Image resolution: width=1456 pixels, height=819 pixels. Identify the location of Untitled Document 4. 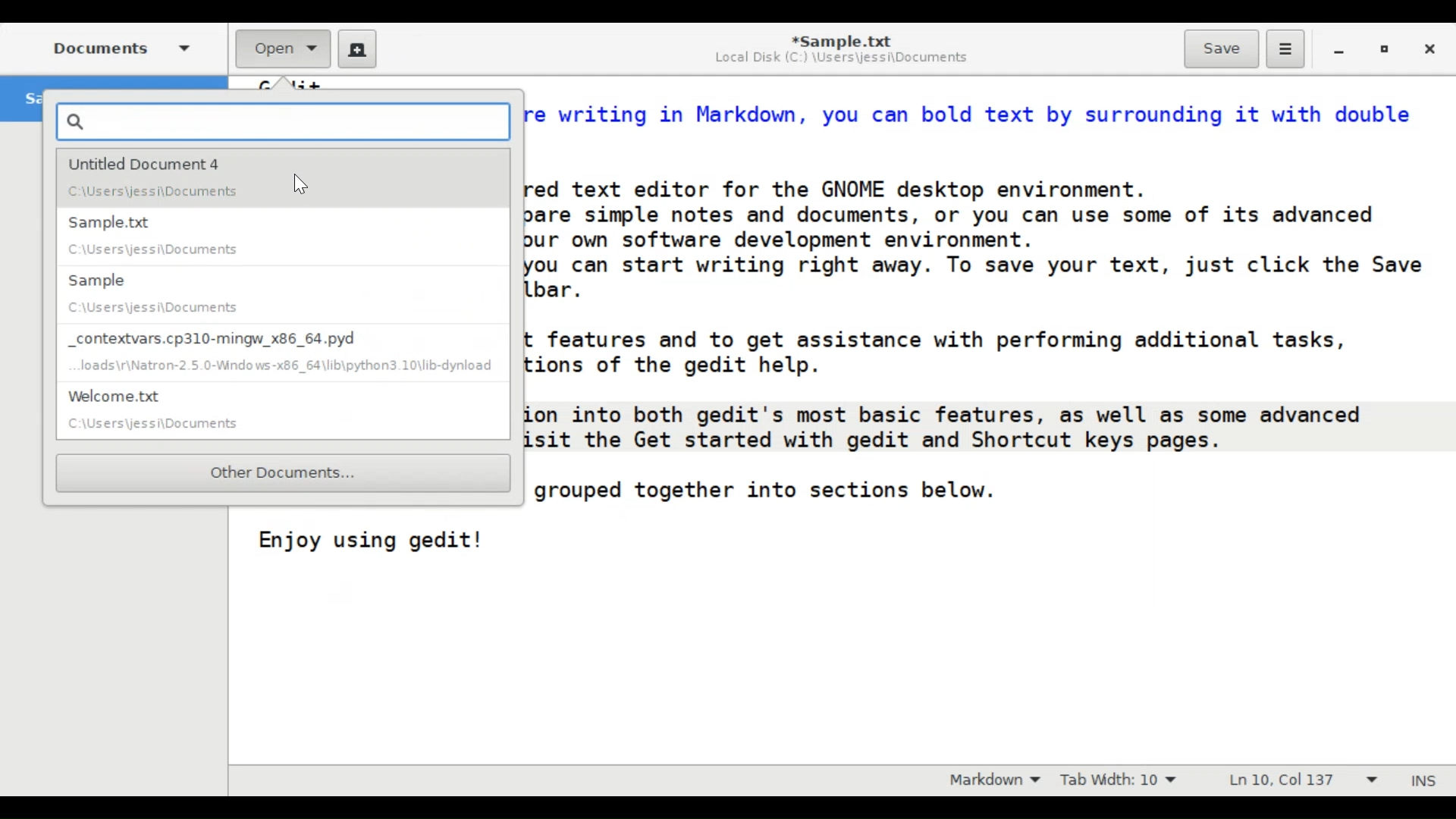
(284, 177).